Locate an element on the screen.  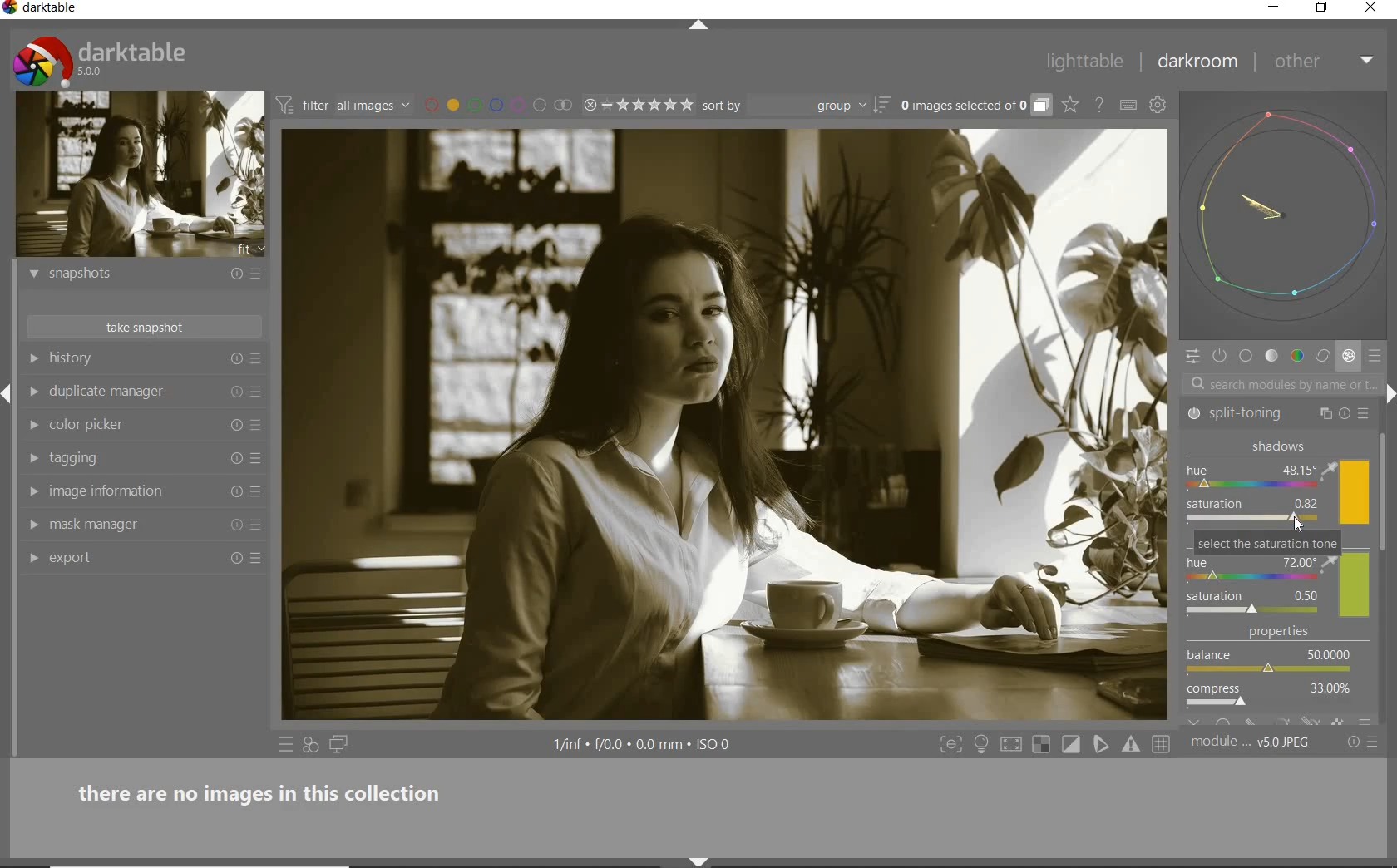
base is located at coordinates (1246, 358).